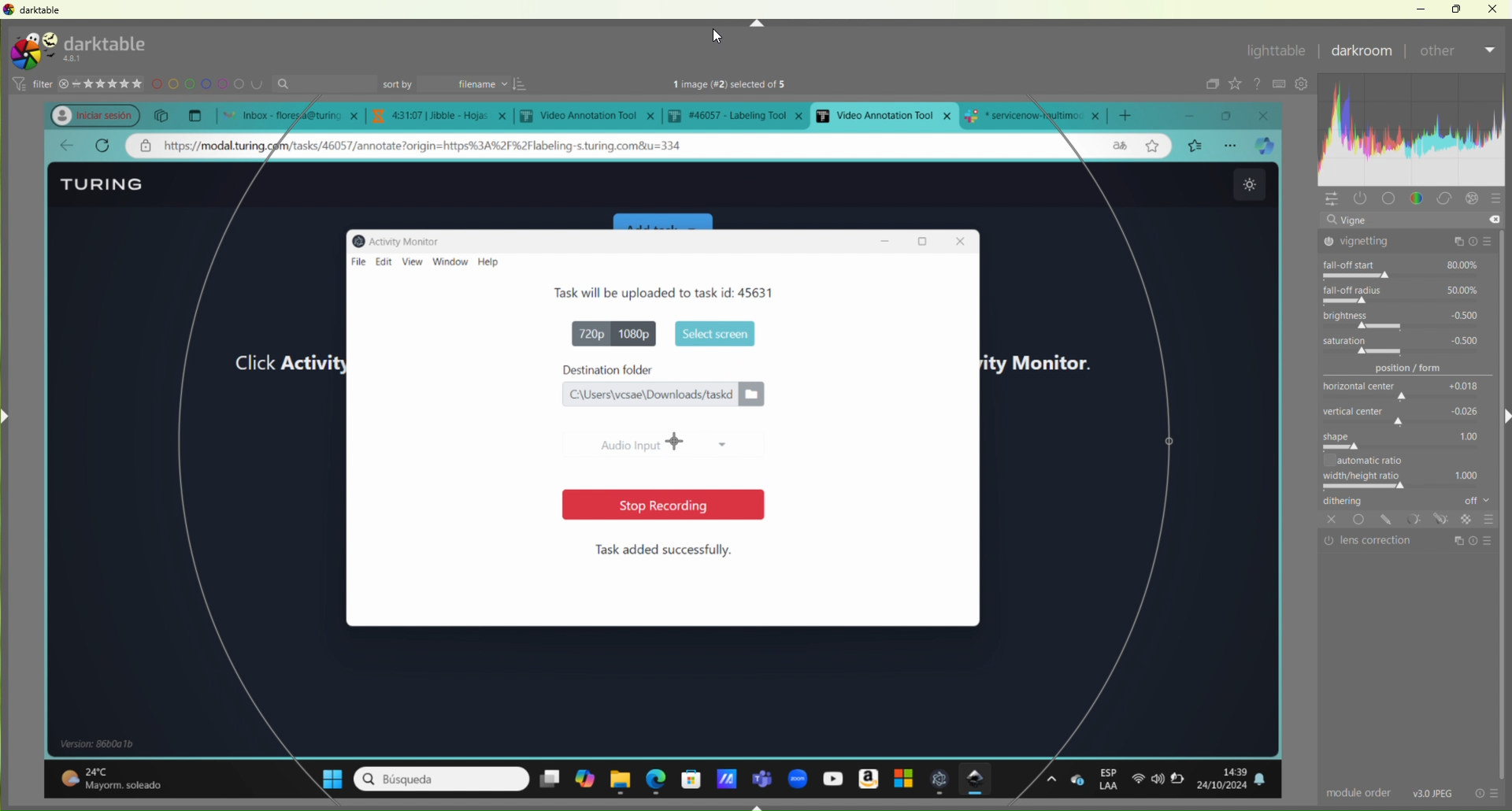 Image resolution: width=1512 pixels, height=811 pixels. Describe the element at coordinates (1411, 243) in the screenshot. I see `vignetting` at that location.